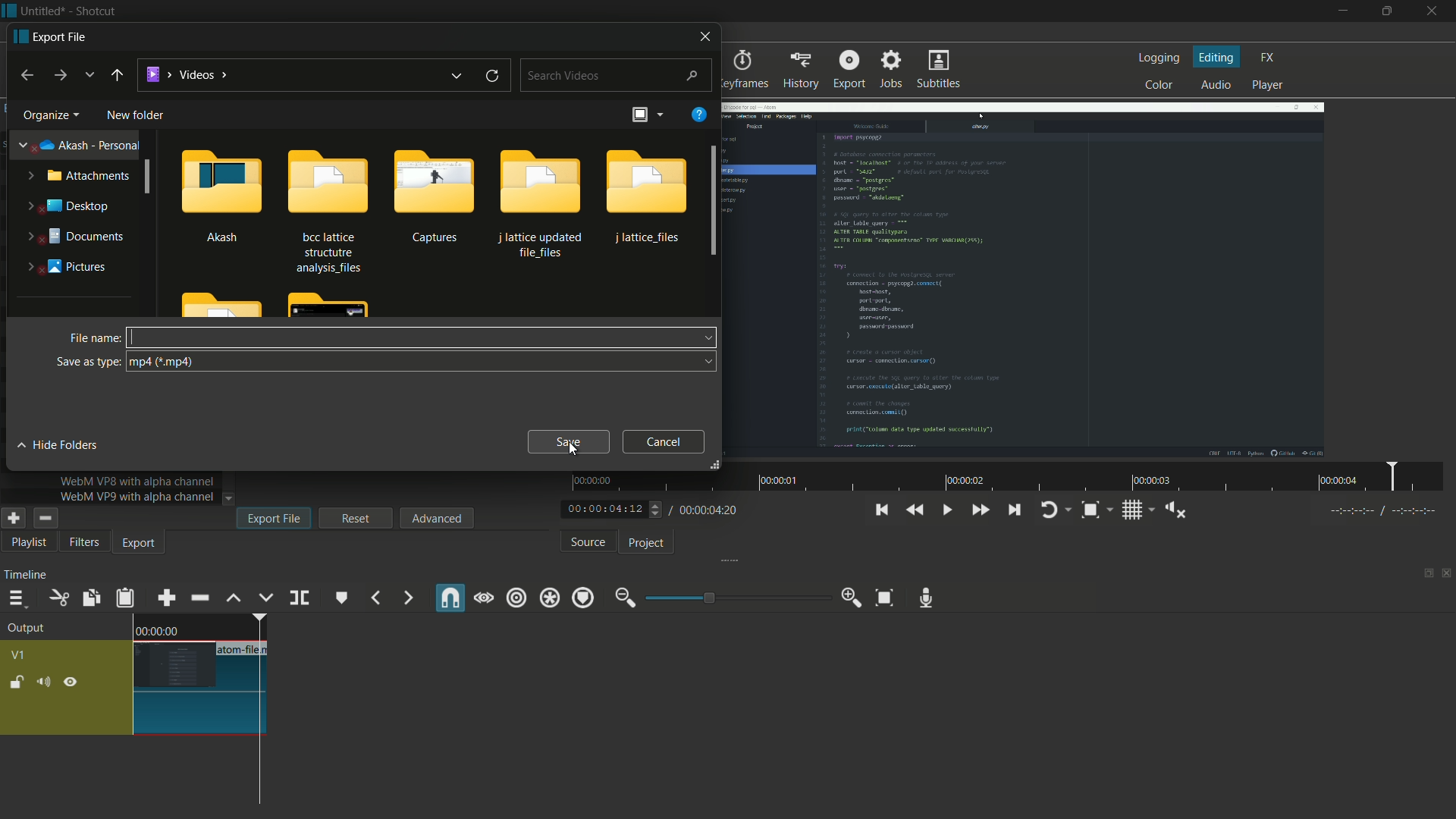 This screenshot has width=1456, height=819. Describe the element at coordinates (43, 11) in the screenshot. I see `project name` at that location.